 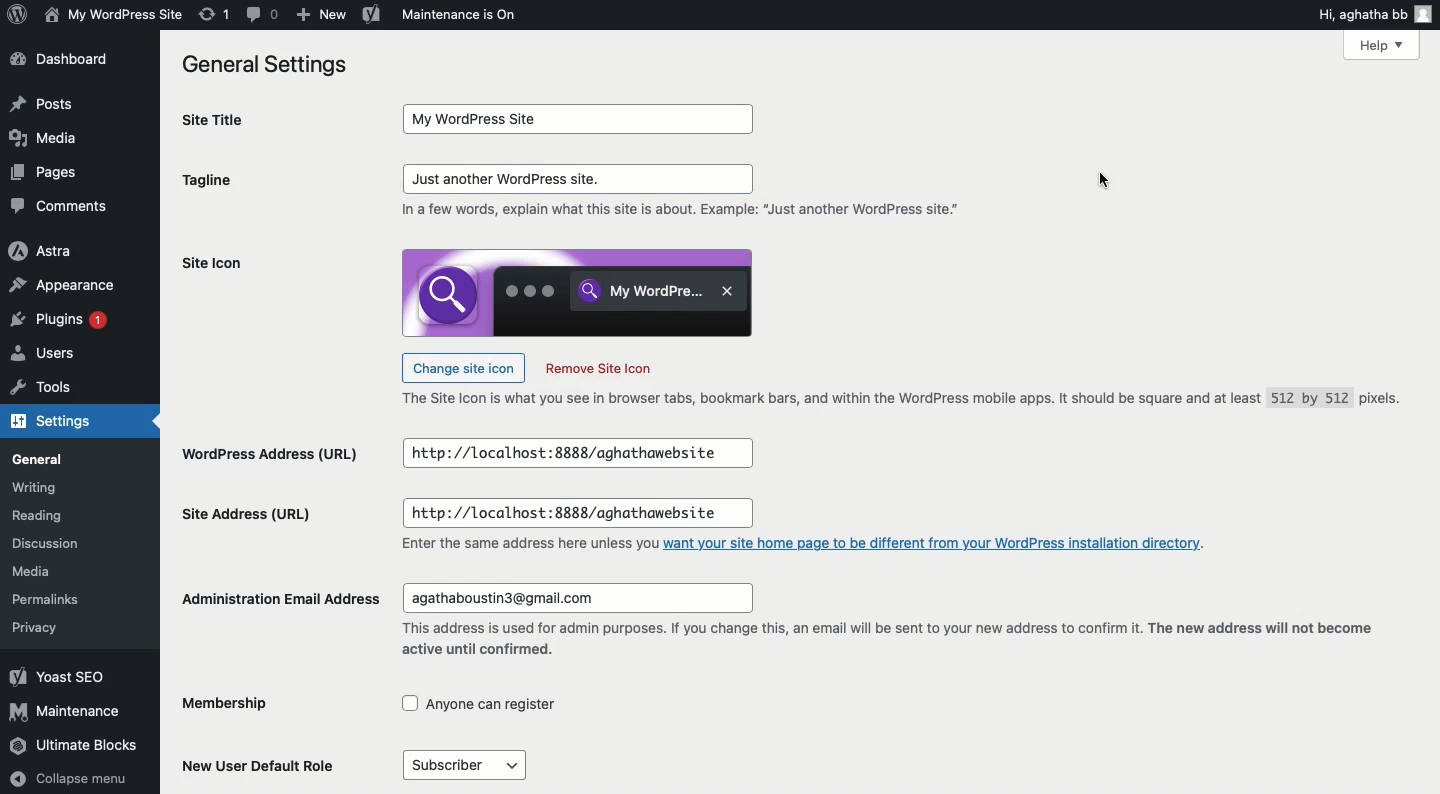 I want to click on Click, so click(x=580, y=179).